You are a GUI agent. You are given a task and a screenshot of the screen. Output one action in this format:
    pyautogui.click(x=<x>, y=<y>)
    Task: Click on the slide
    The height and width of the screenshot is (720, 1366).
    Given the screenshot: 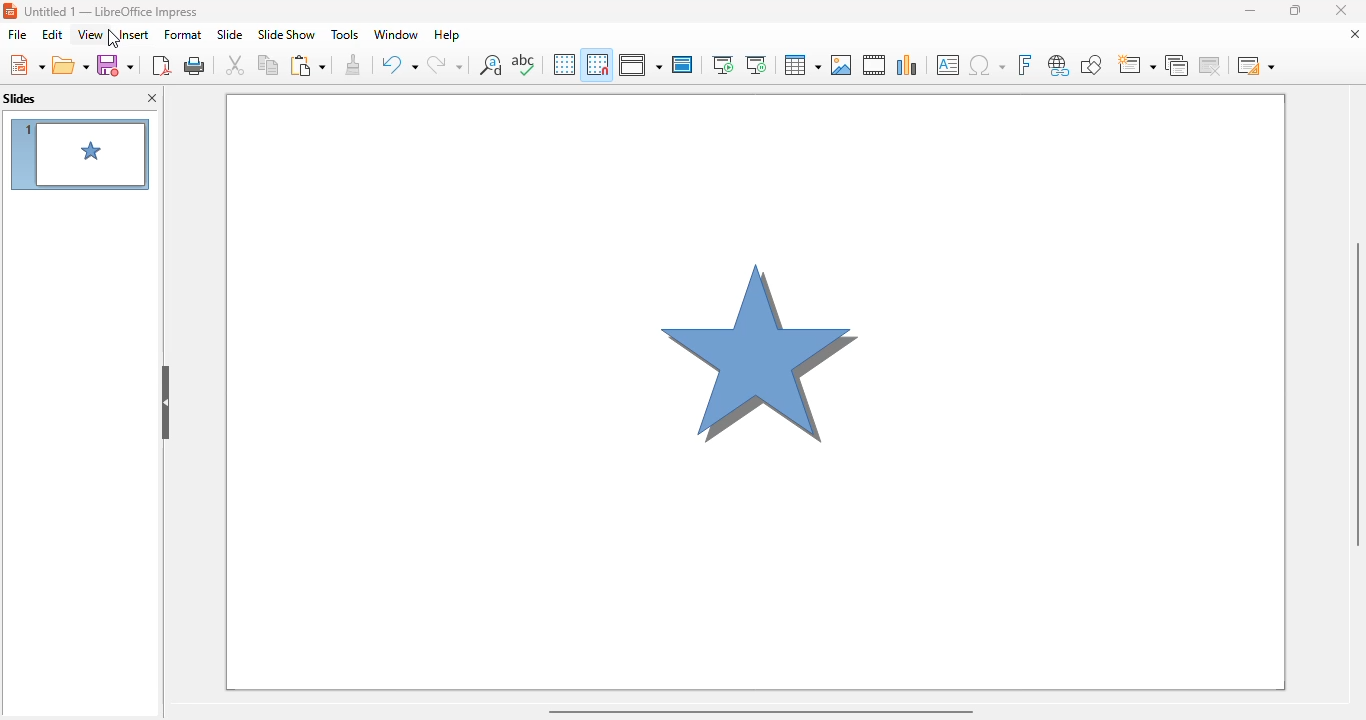 What is the action you would take?
    pyautogui.click(x=229, y=35)
    